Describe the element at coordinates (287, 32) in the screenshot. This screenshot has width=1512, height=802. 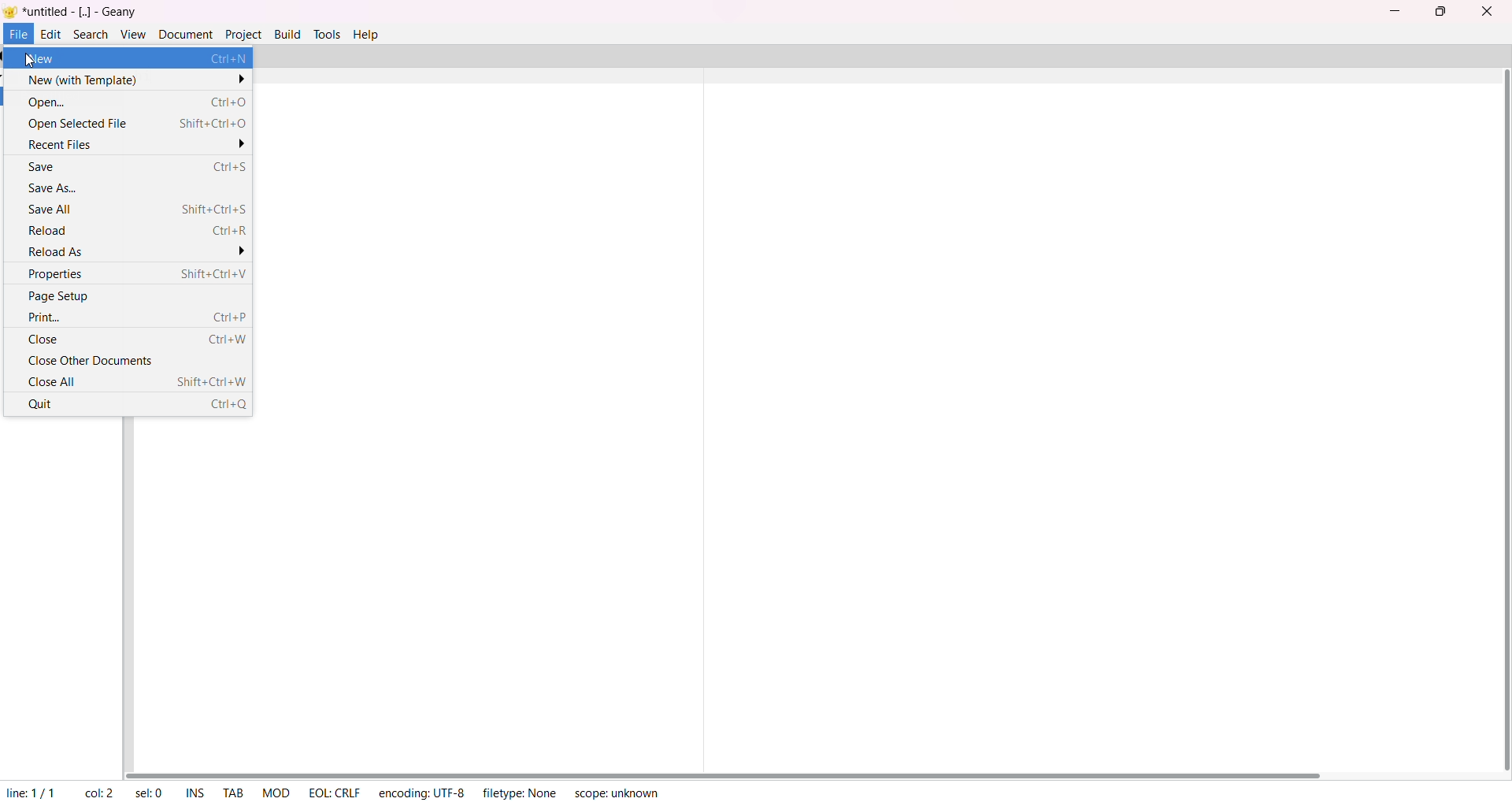
I see `build` at that location.